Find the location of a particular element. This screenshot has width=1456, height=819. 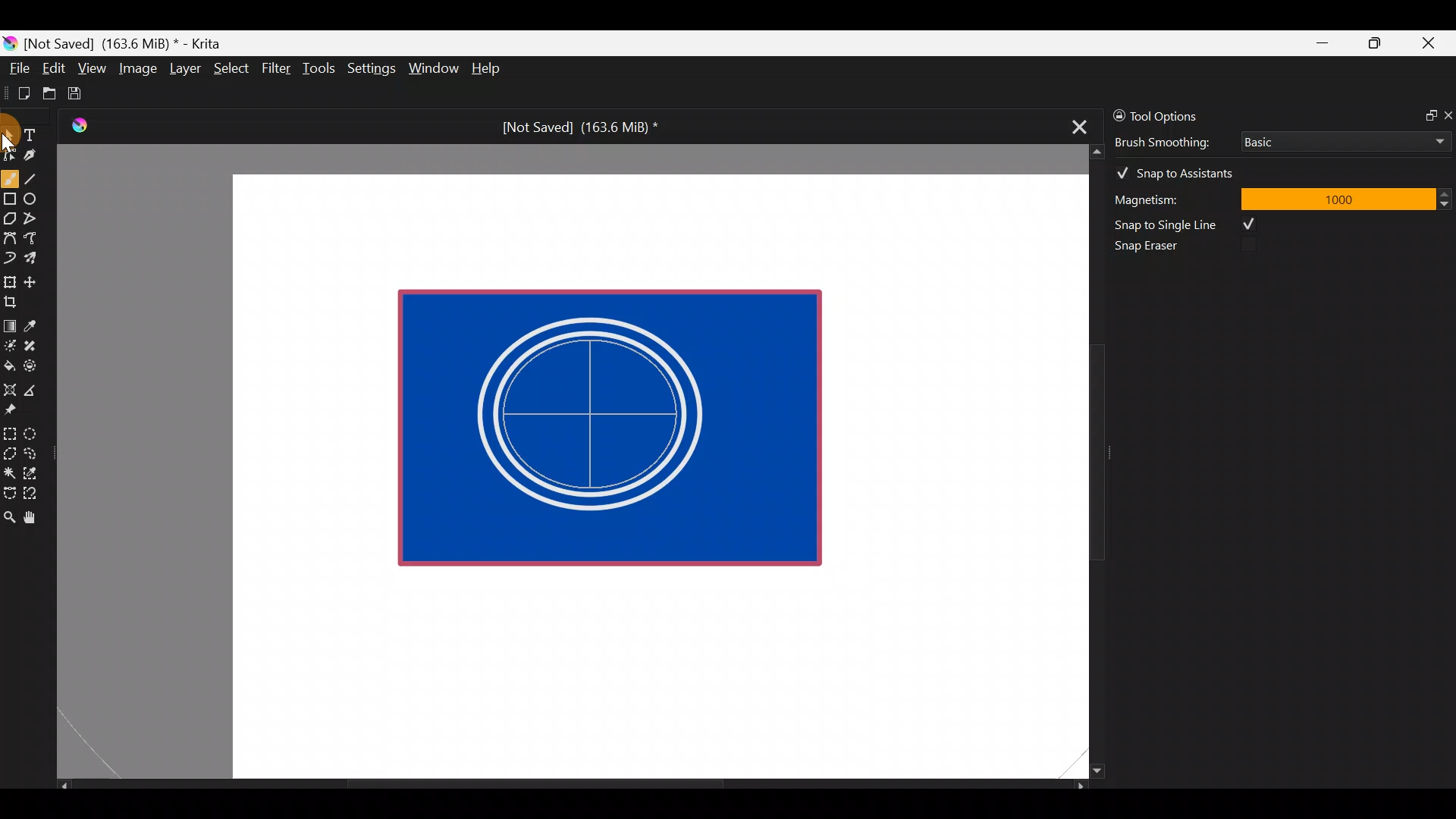

Edit shapes tool is located at coordinates (10, 154).